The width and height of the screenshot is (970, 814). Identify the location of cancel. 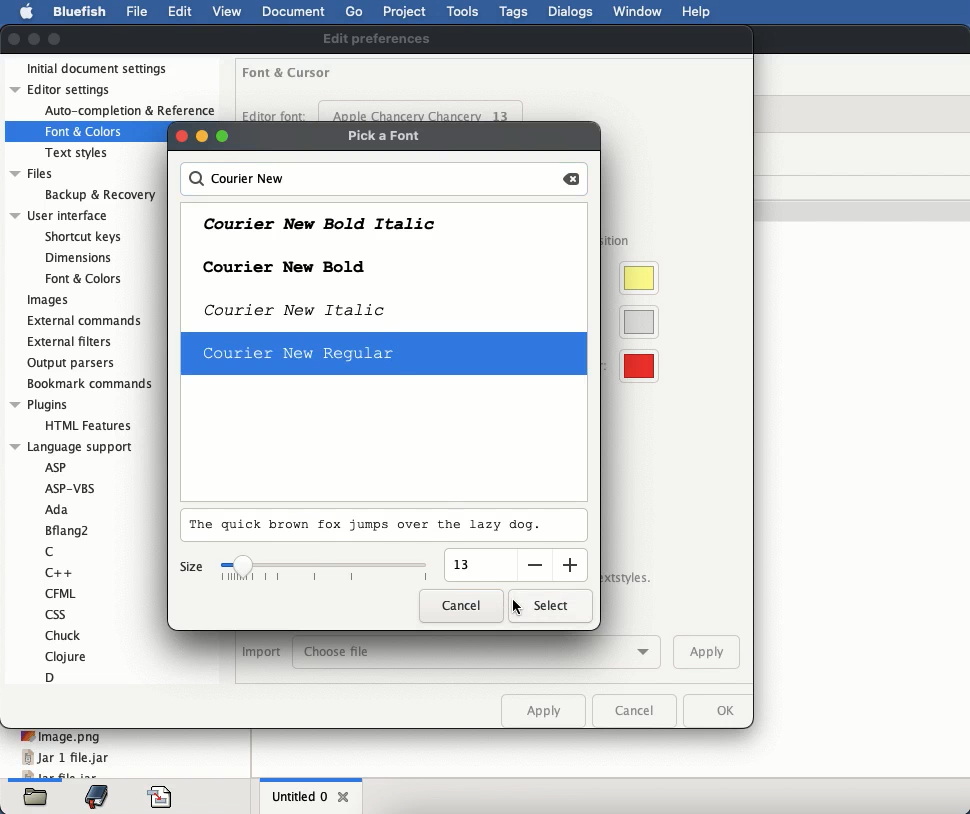
(632, 710).